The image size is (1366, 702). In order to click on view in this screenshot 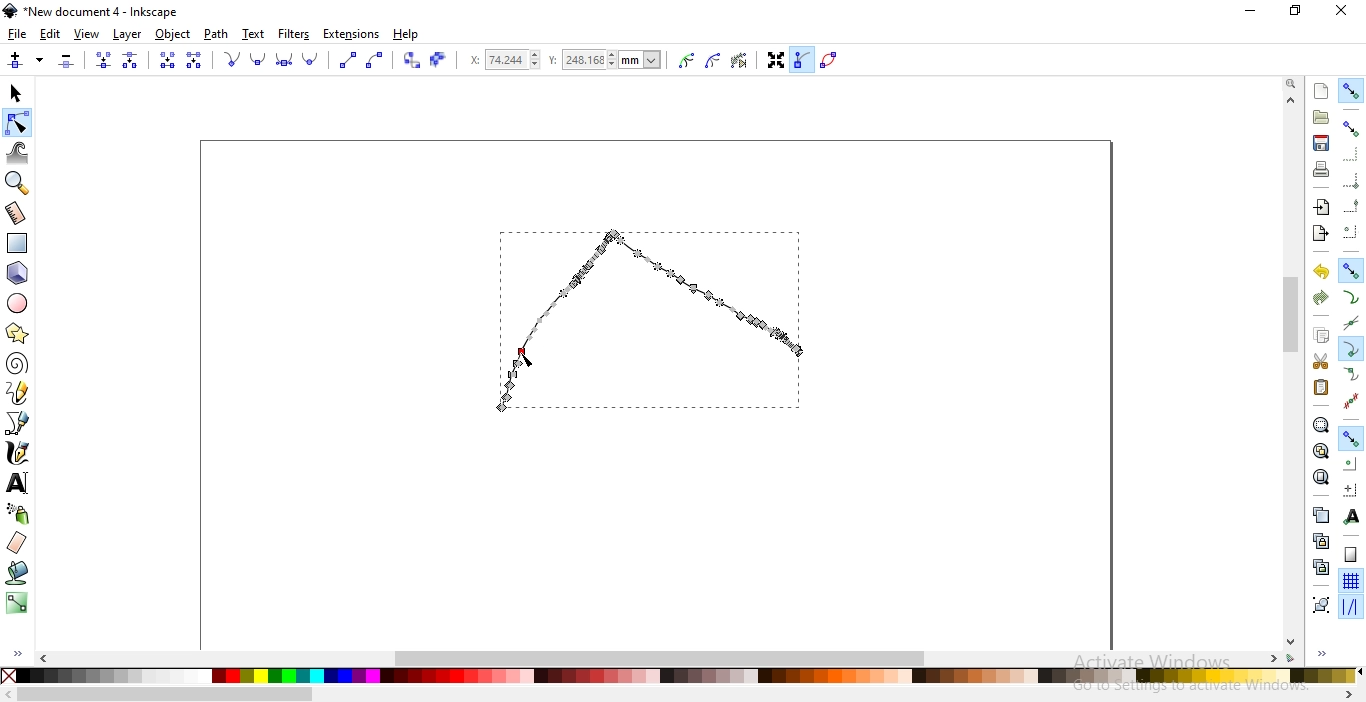, I will do `click(87, 35)`.